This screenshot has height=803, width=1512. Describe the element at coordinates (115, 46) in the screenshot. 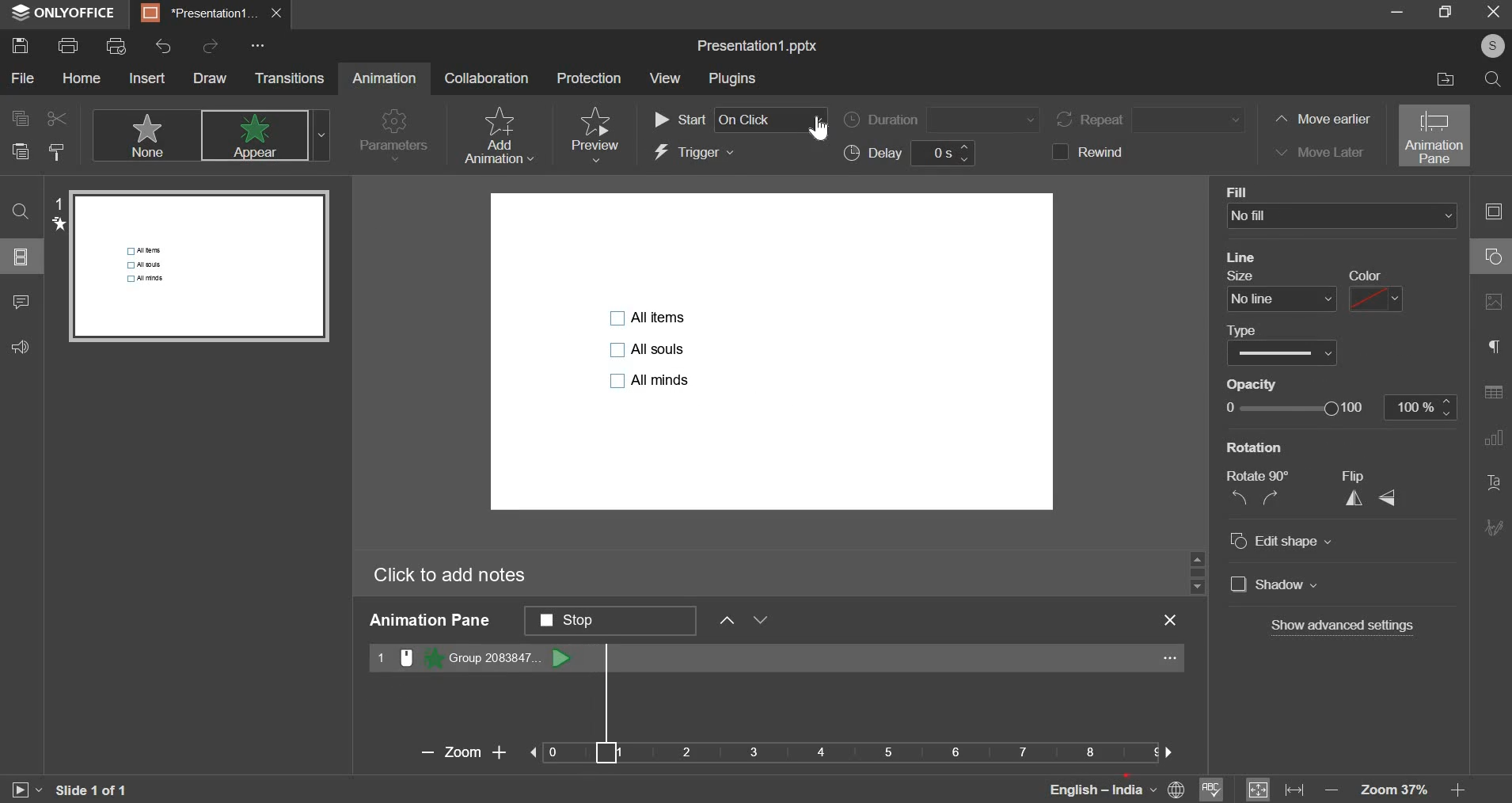

I see `print preview` at that location.